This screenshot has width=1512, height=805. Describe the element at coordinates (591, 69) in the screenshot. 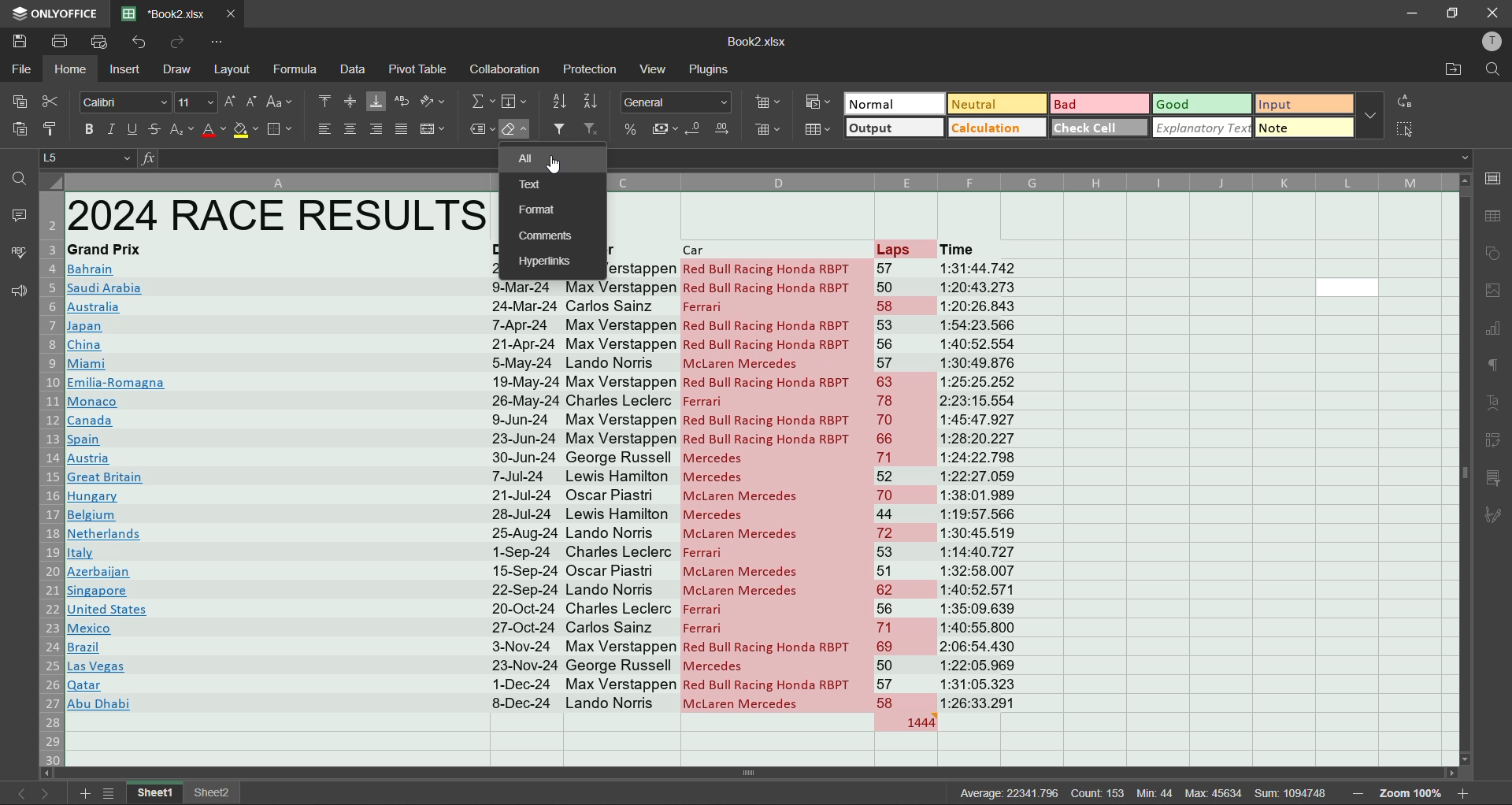

I see `protection` at that location.